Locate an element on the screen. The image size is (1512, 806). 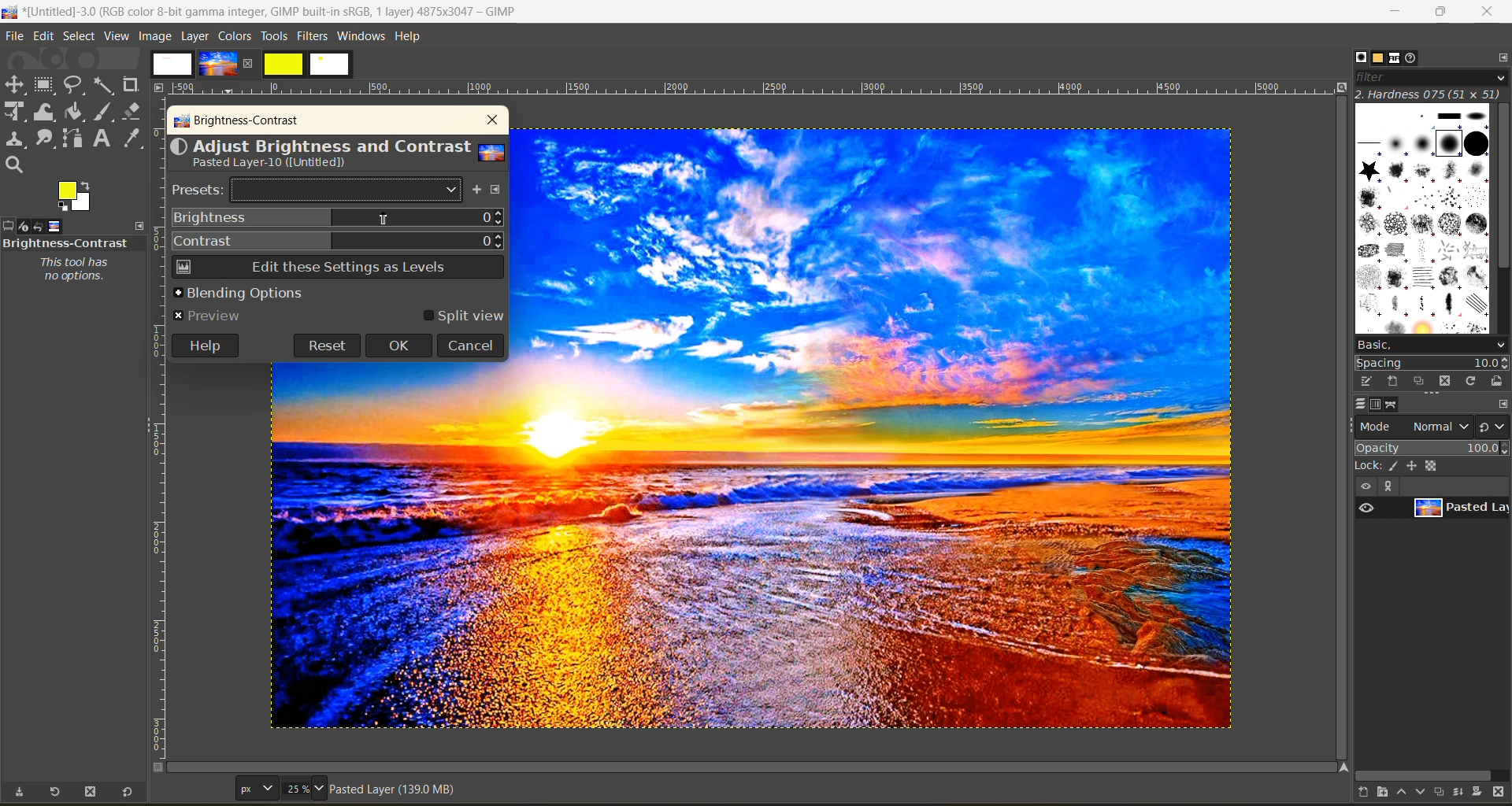
layer is located at coordinates (1460, 508).